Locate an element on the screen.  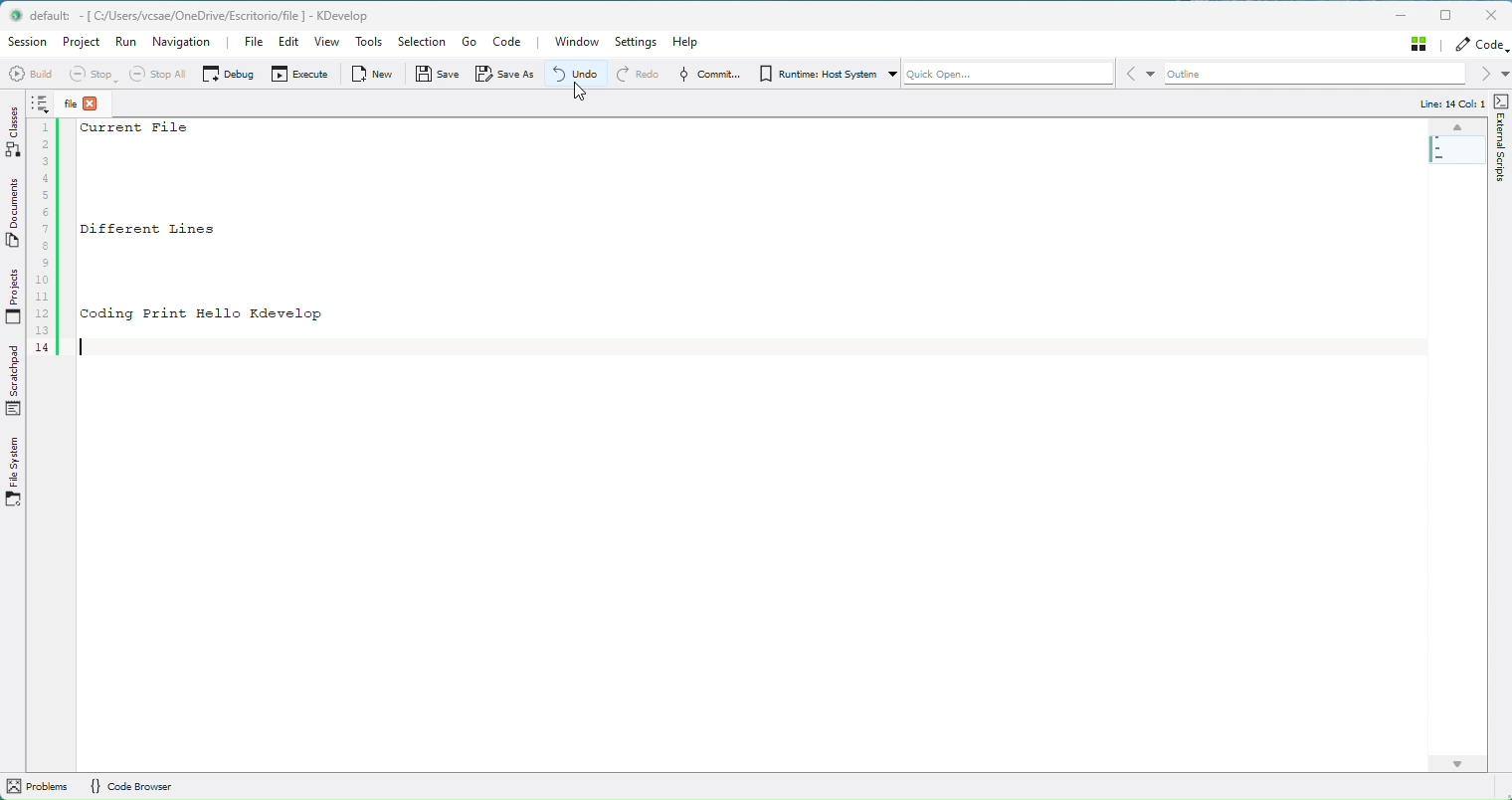
Outline is located at coordinates (1330, 74).